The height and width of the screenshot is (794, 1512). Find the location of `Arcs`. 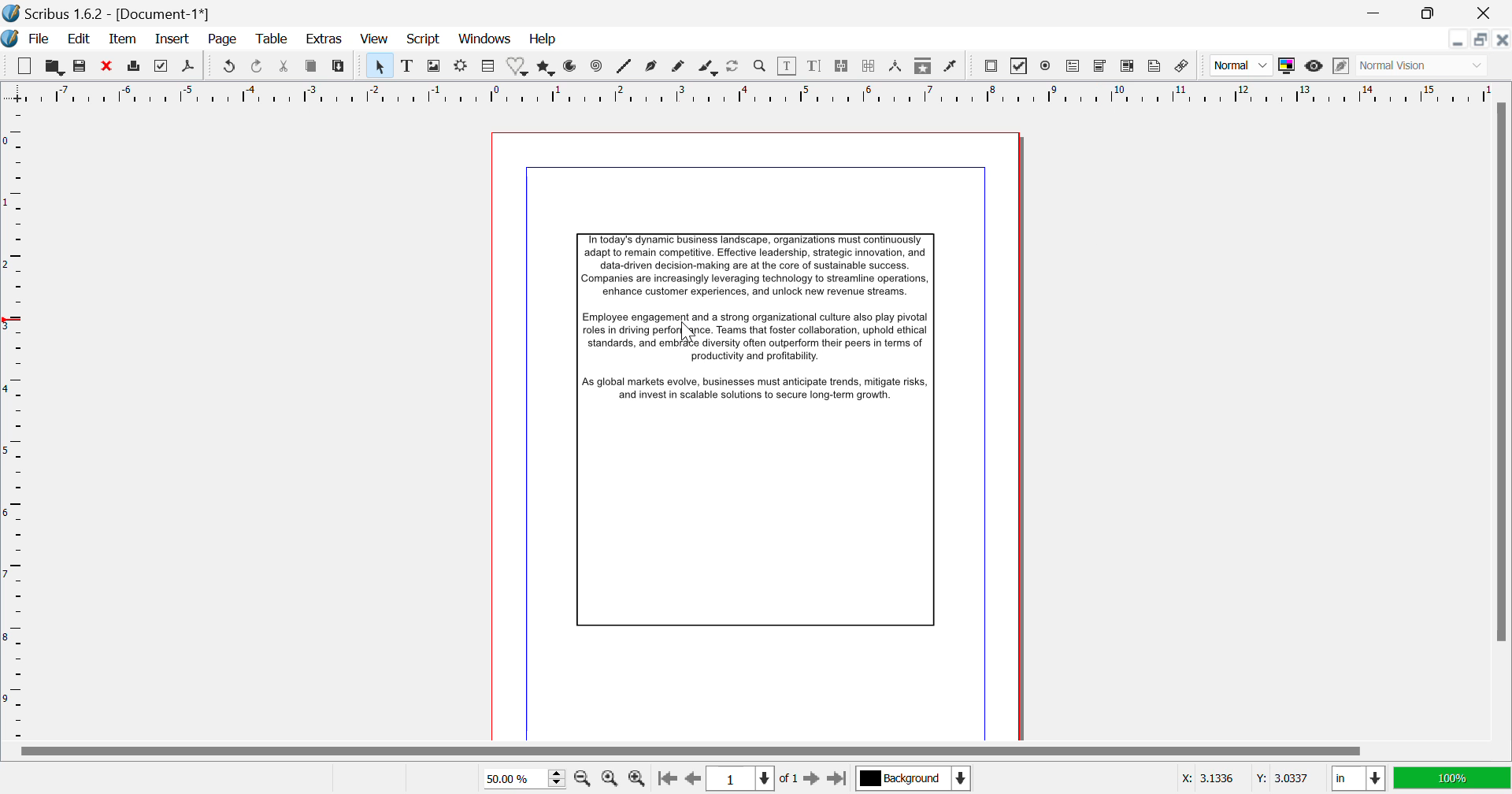

Arcs is located at coordinates (572, 67).